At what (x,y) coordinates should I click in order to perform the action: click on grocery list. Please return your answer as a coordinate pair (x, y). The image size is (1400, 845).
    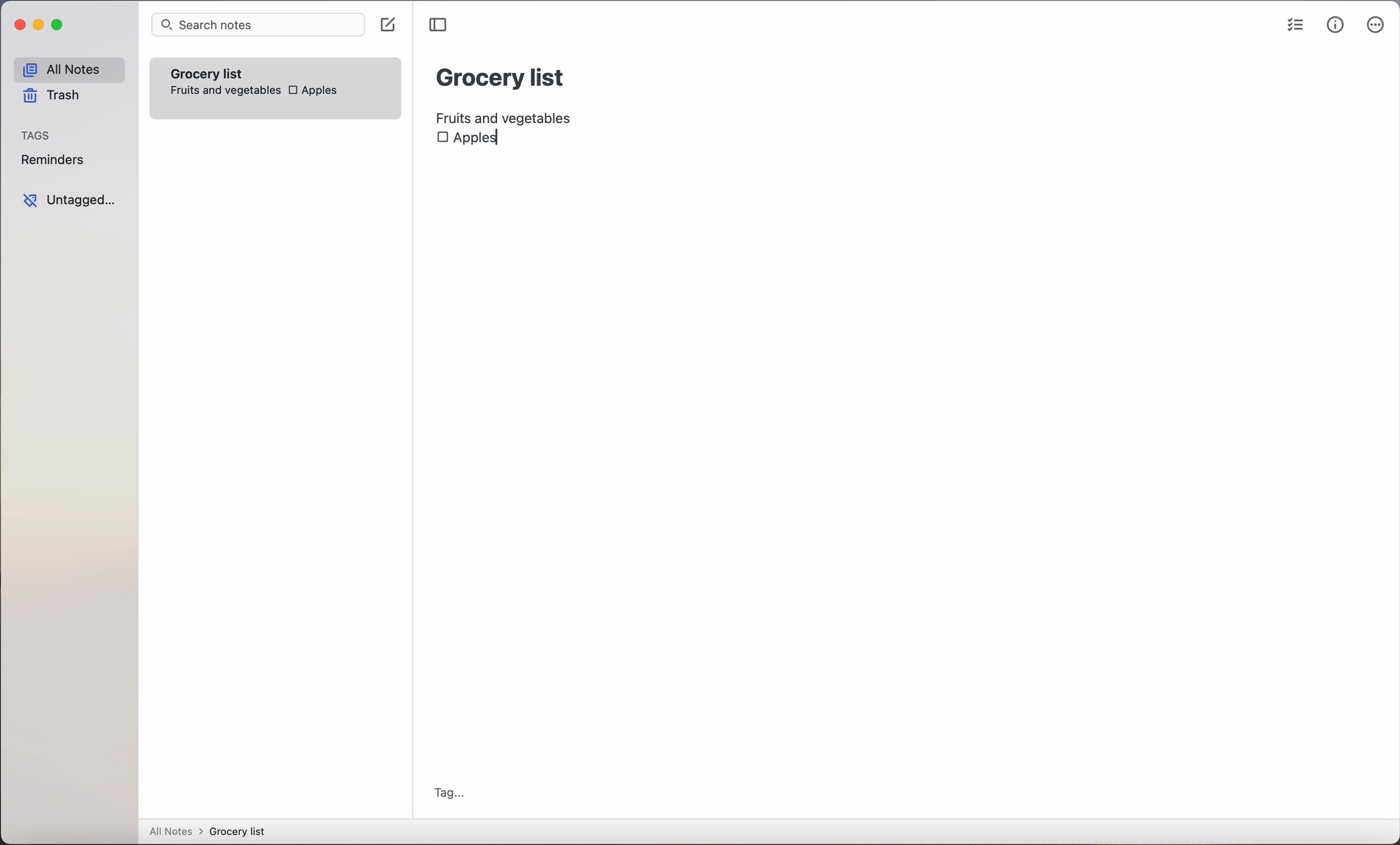
    Looking at the image, I should click on (501, 76).